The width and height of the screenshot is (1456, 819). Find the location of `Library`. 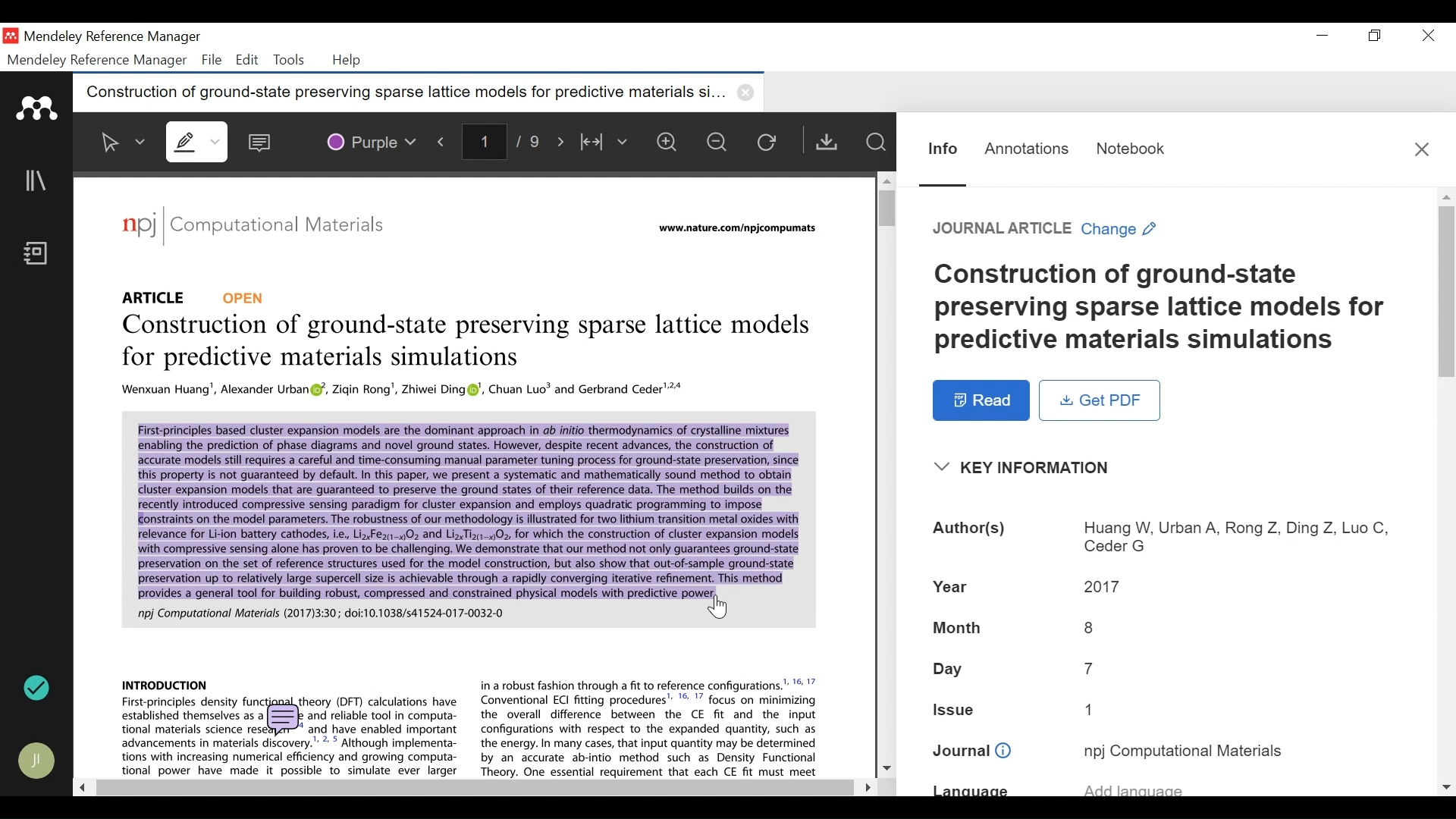

Library is located at coordinates (37, 180).